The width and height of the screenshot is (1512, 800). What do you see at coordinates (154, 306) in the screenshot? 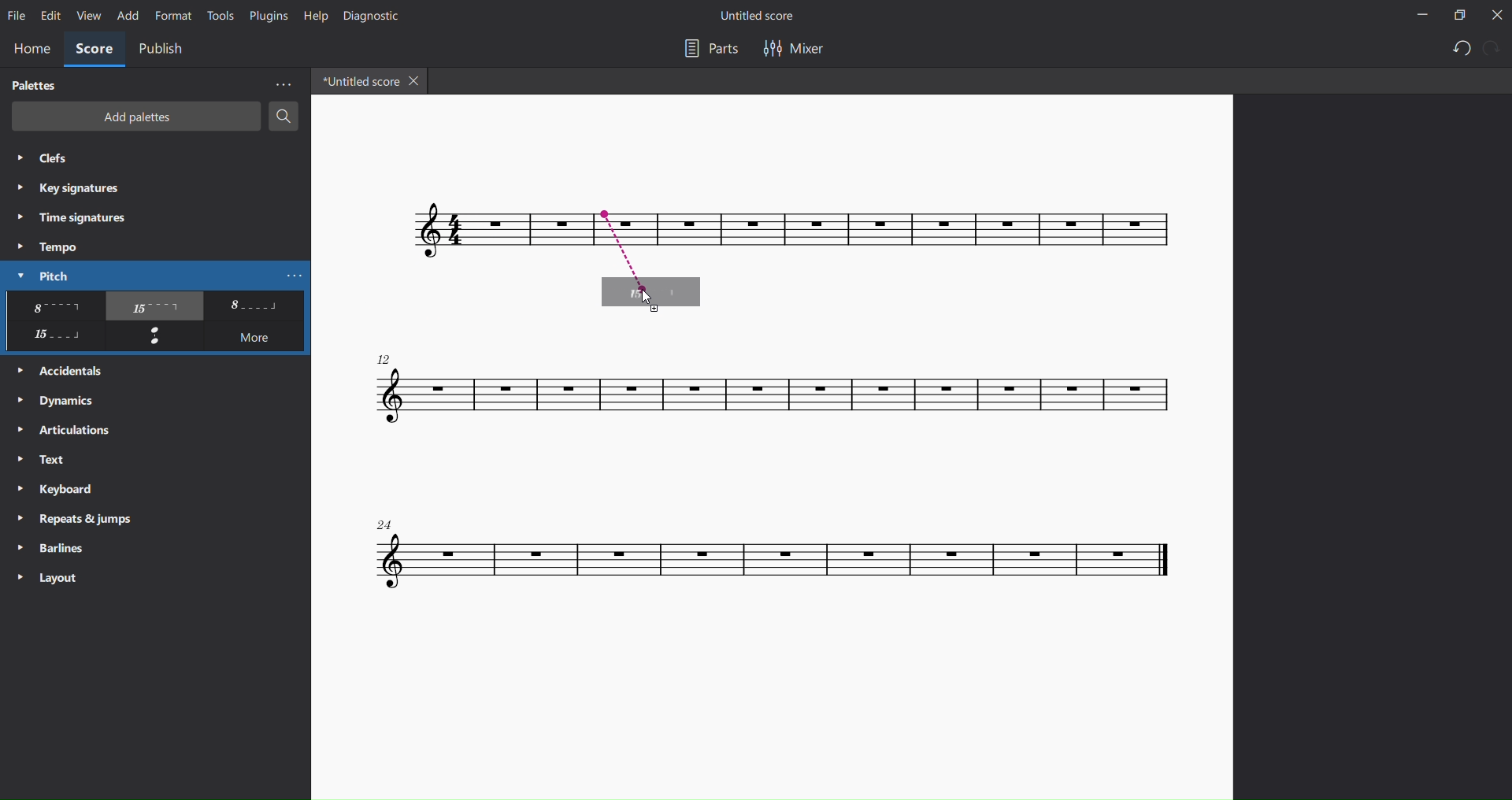
I see `other pichtes` at bounding box center [154, 306].